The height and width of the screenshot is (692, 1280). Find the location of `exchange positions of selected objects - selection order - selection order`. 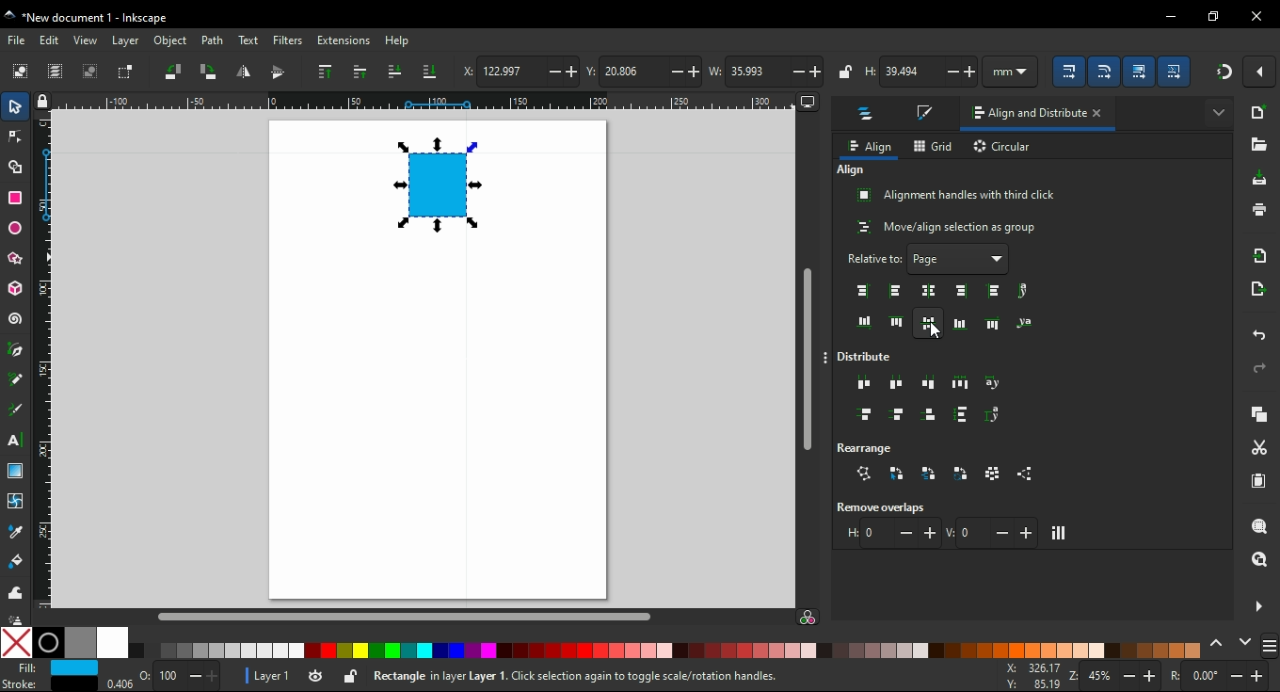

exchange positions of selected objects - selection order - selection order is located at coordinates (897, 473).